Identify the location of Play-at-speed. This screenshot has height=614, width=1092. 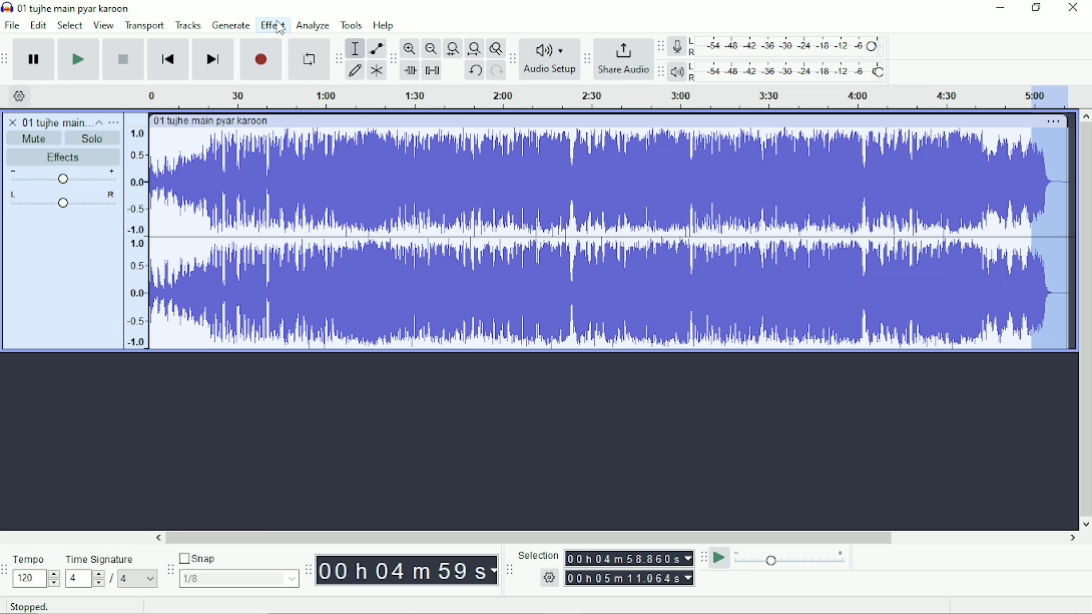
(721, 558).